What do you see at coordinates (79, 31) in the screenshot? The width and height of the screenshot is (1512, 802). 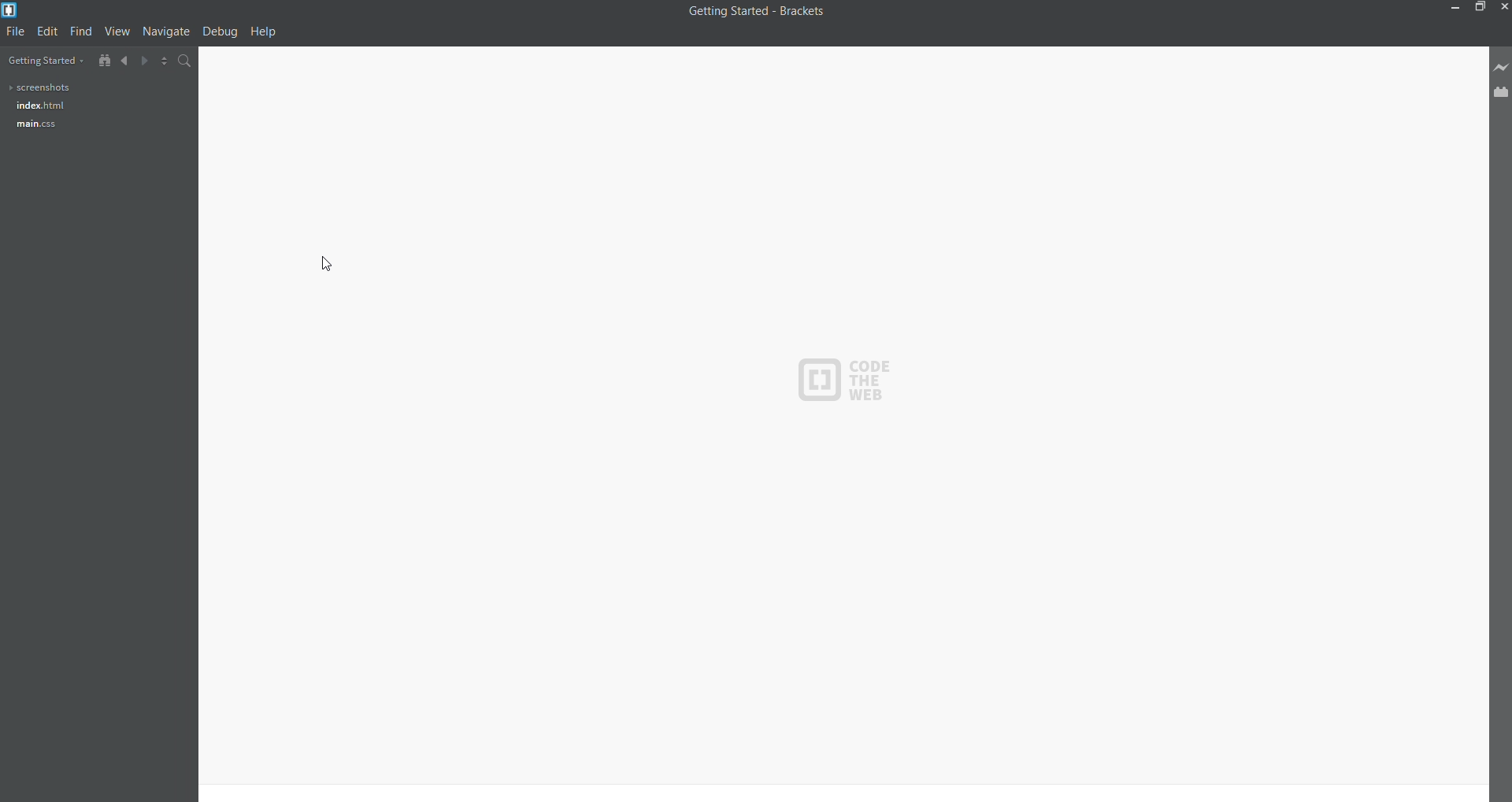 I see `find` at bounding box center [79, 31].